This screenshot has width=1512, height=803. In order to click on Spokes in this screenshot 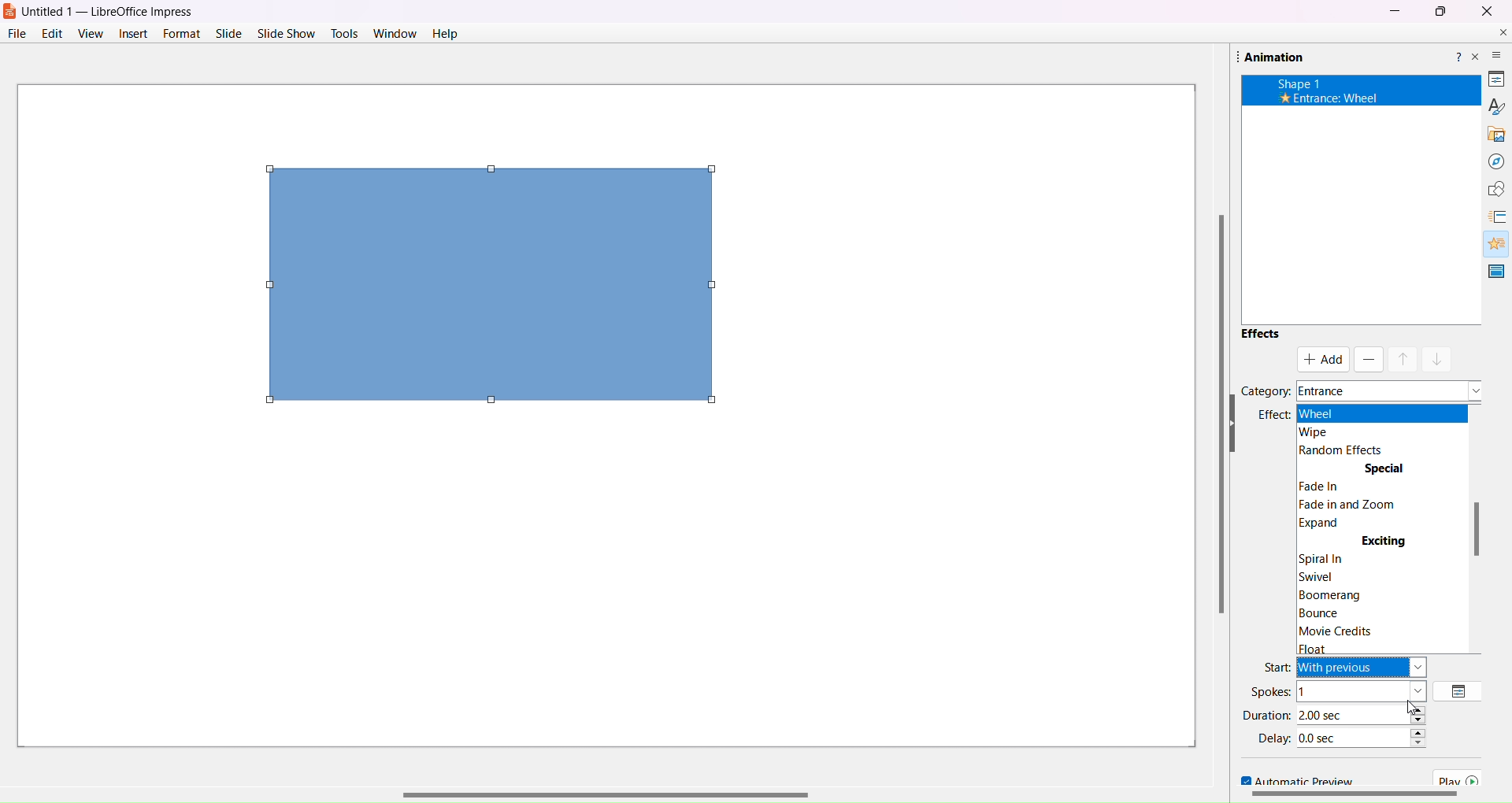, I will do `click(1271, 691)`.